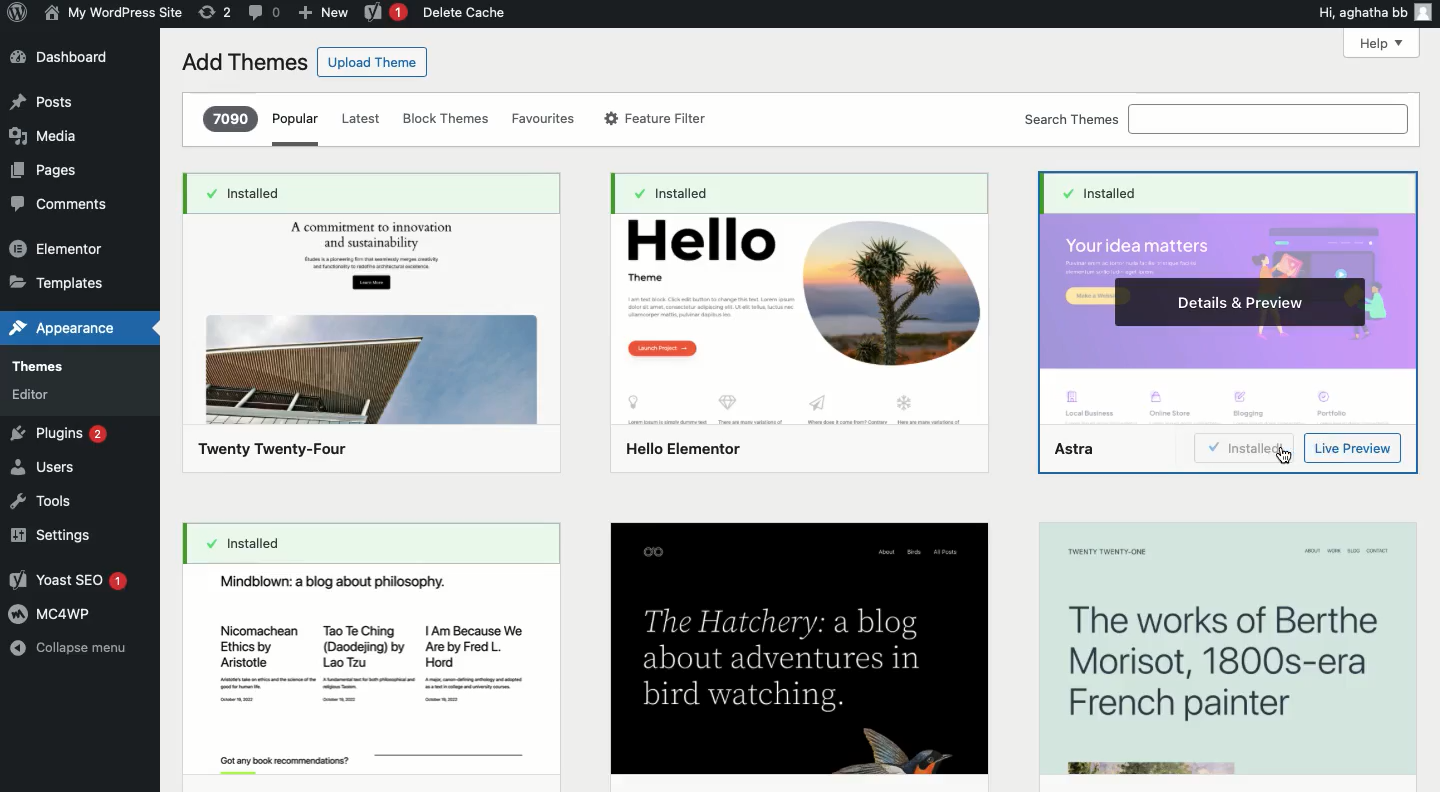  What do you see at coordinates (64, 57) in the screenshot?
I see `Dashboard` at bounding box center [64, 57].